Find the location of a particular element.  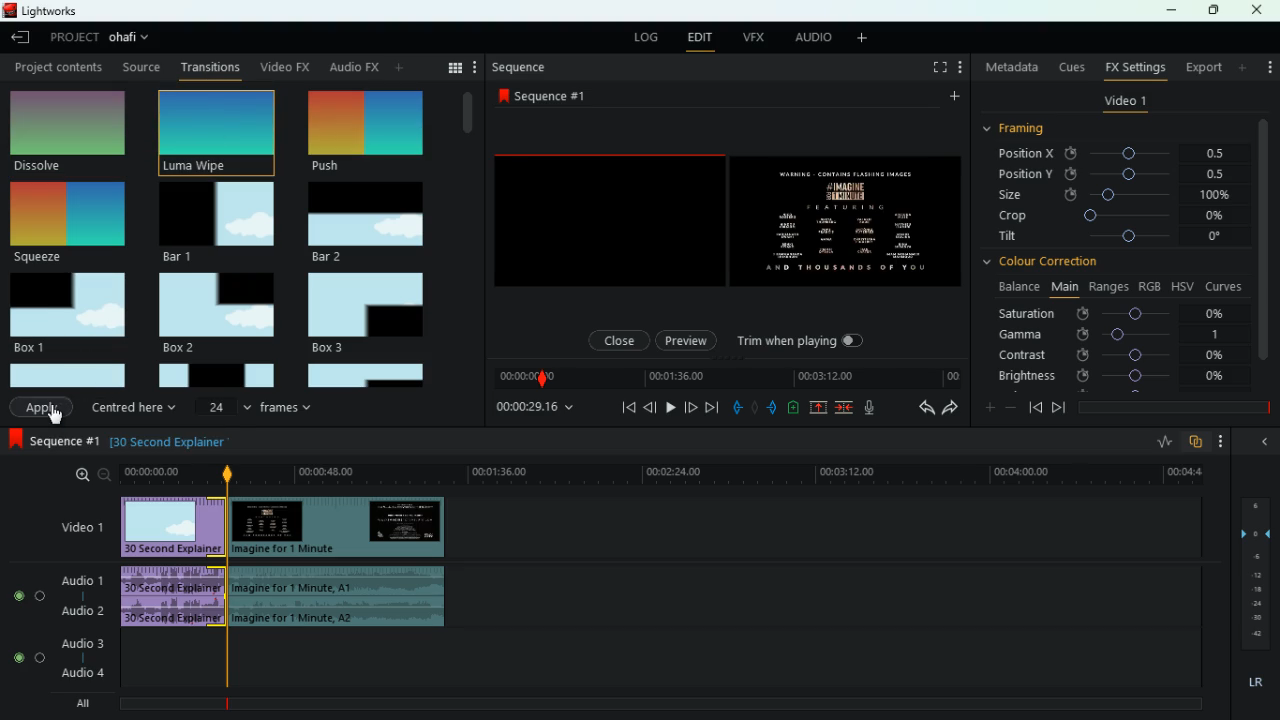

video is located at coordinates (342, 527).